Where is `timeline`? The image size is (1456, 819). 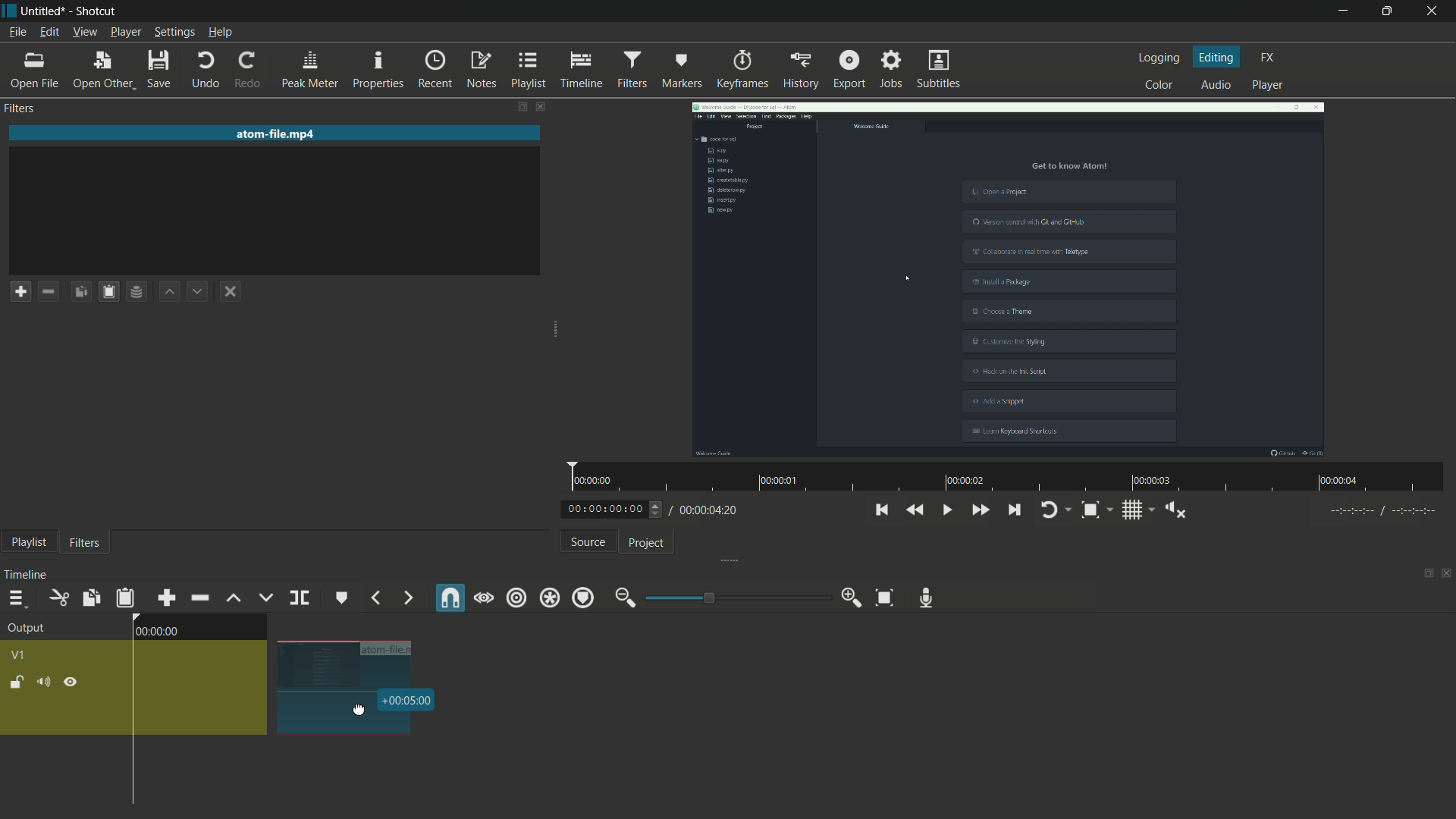
timeline is located at coordinates (30, 572).